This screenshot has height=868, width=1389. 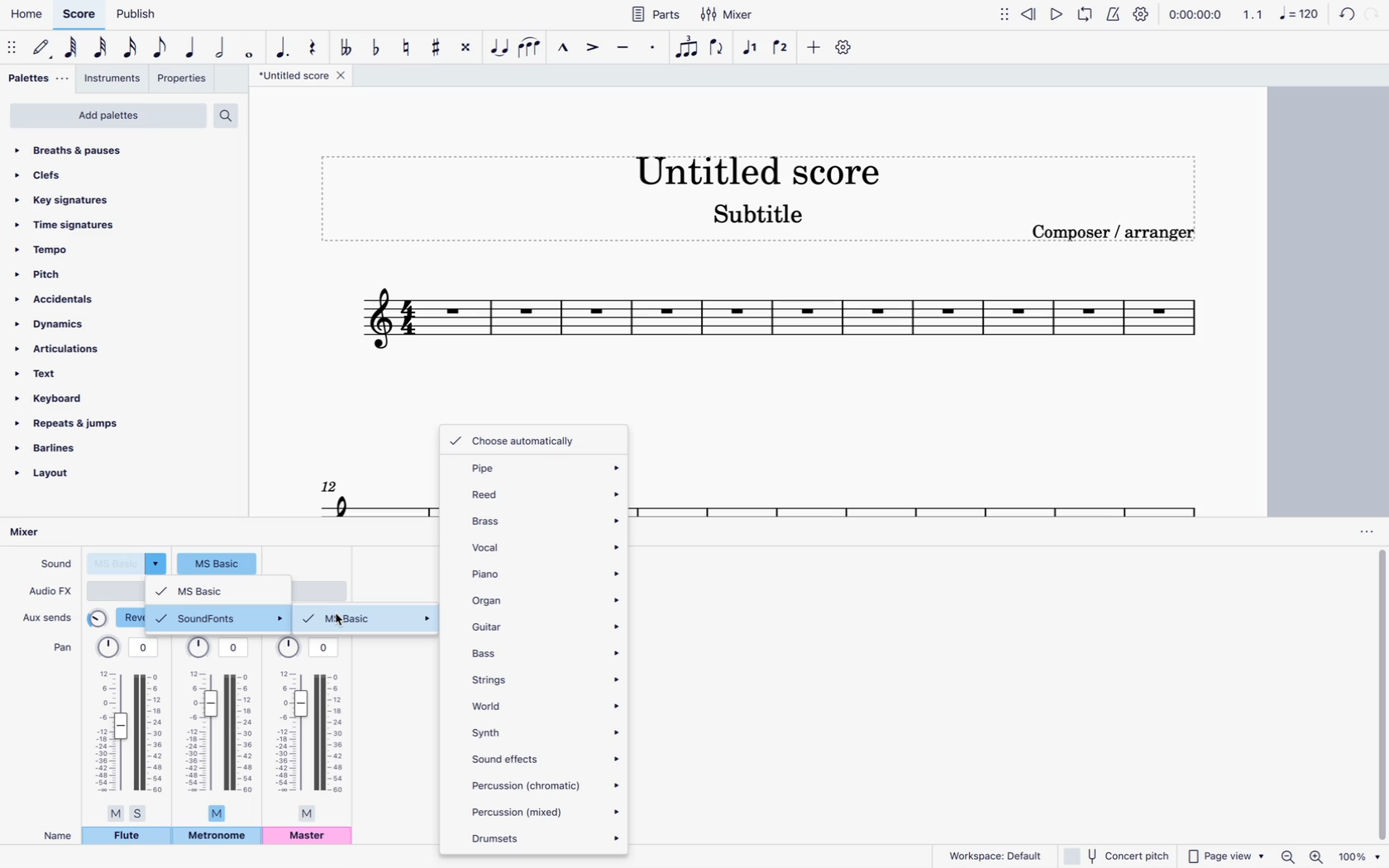 I want to click on metronome, so click(x=217, y=837).